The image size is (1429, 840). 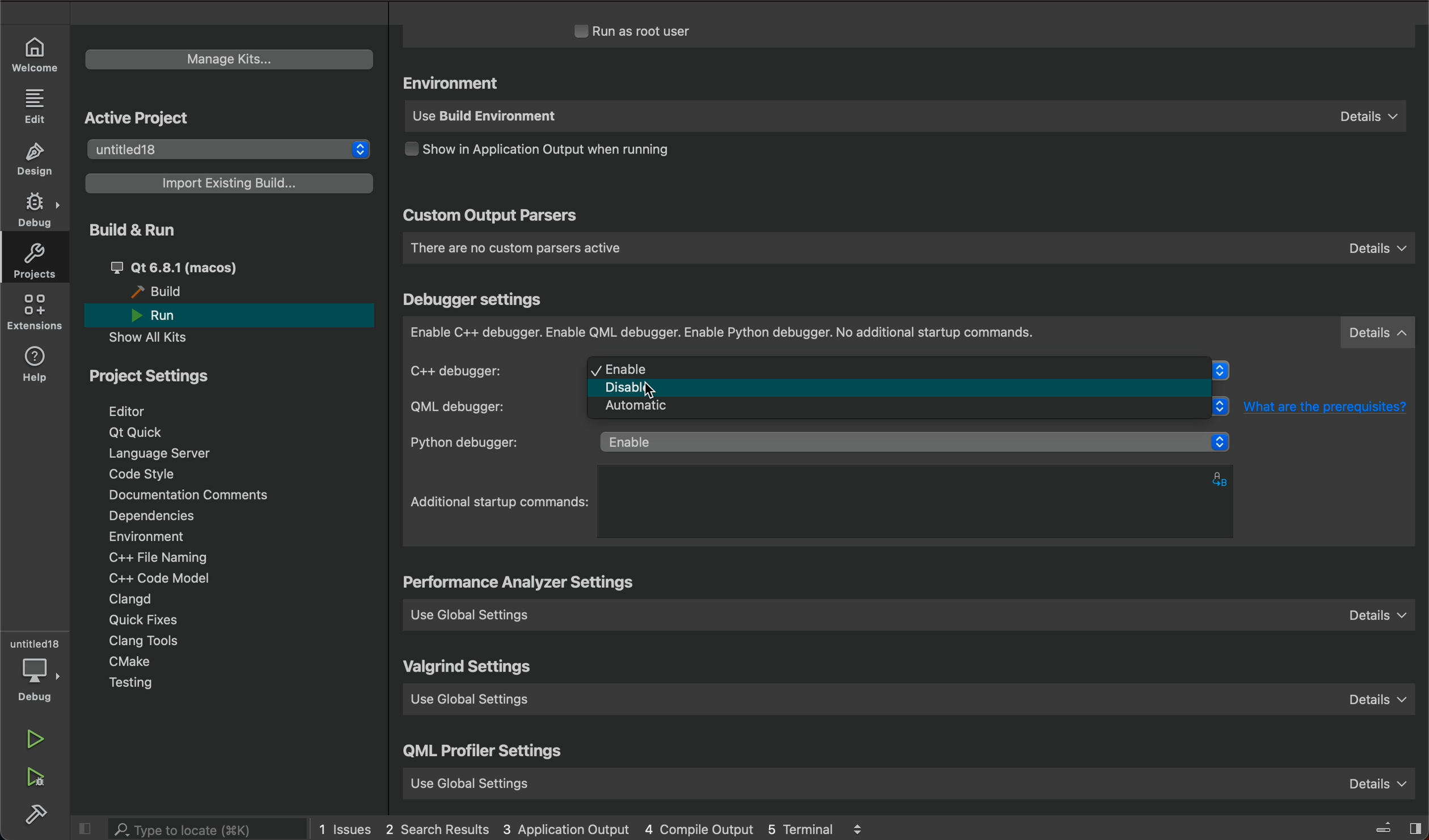 I want to click on alphabets, so click(x=1223, y=478).